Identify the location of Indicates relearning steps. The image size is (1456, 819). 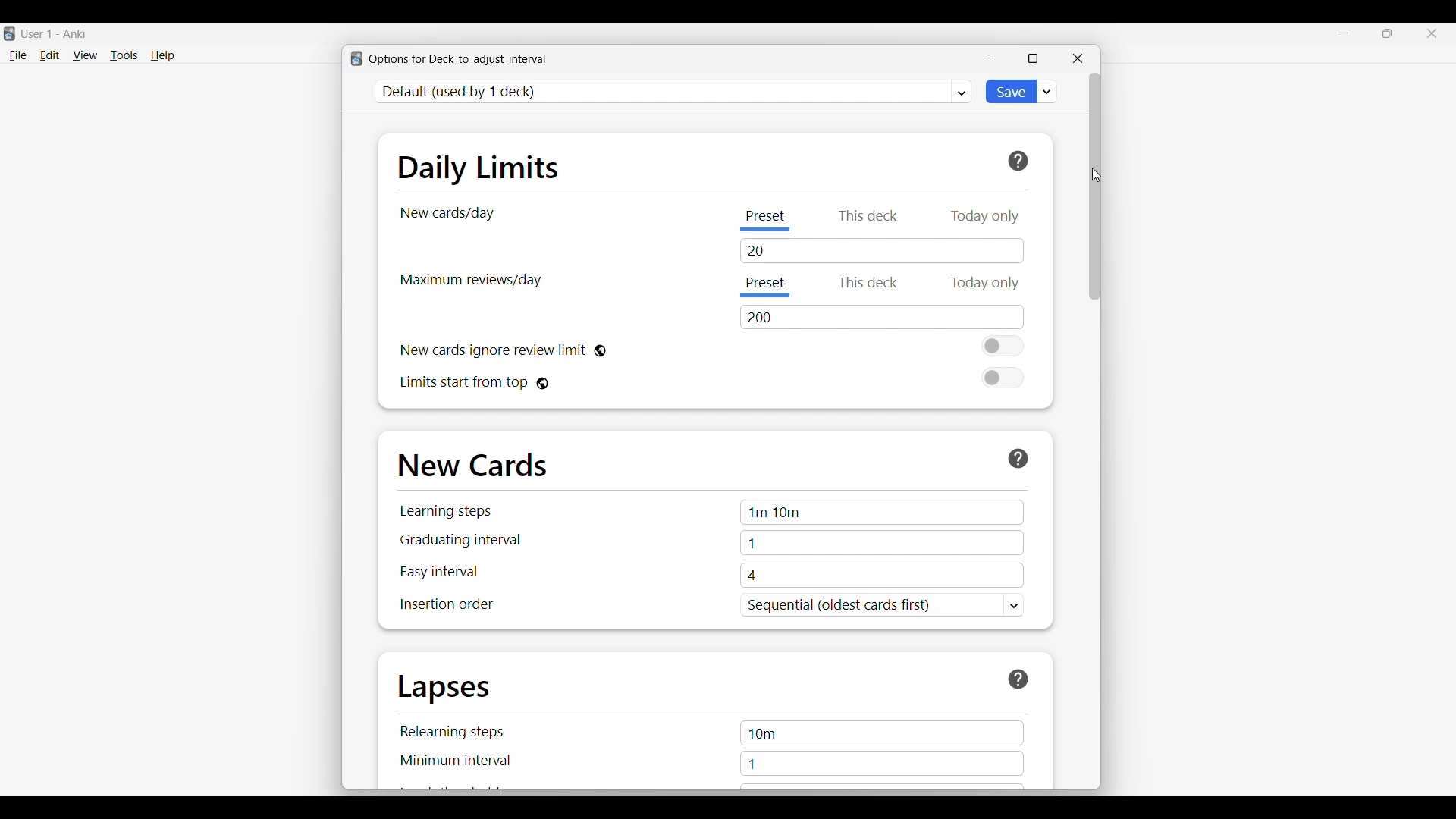
(453, 732).